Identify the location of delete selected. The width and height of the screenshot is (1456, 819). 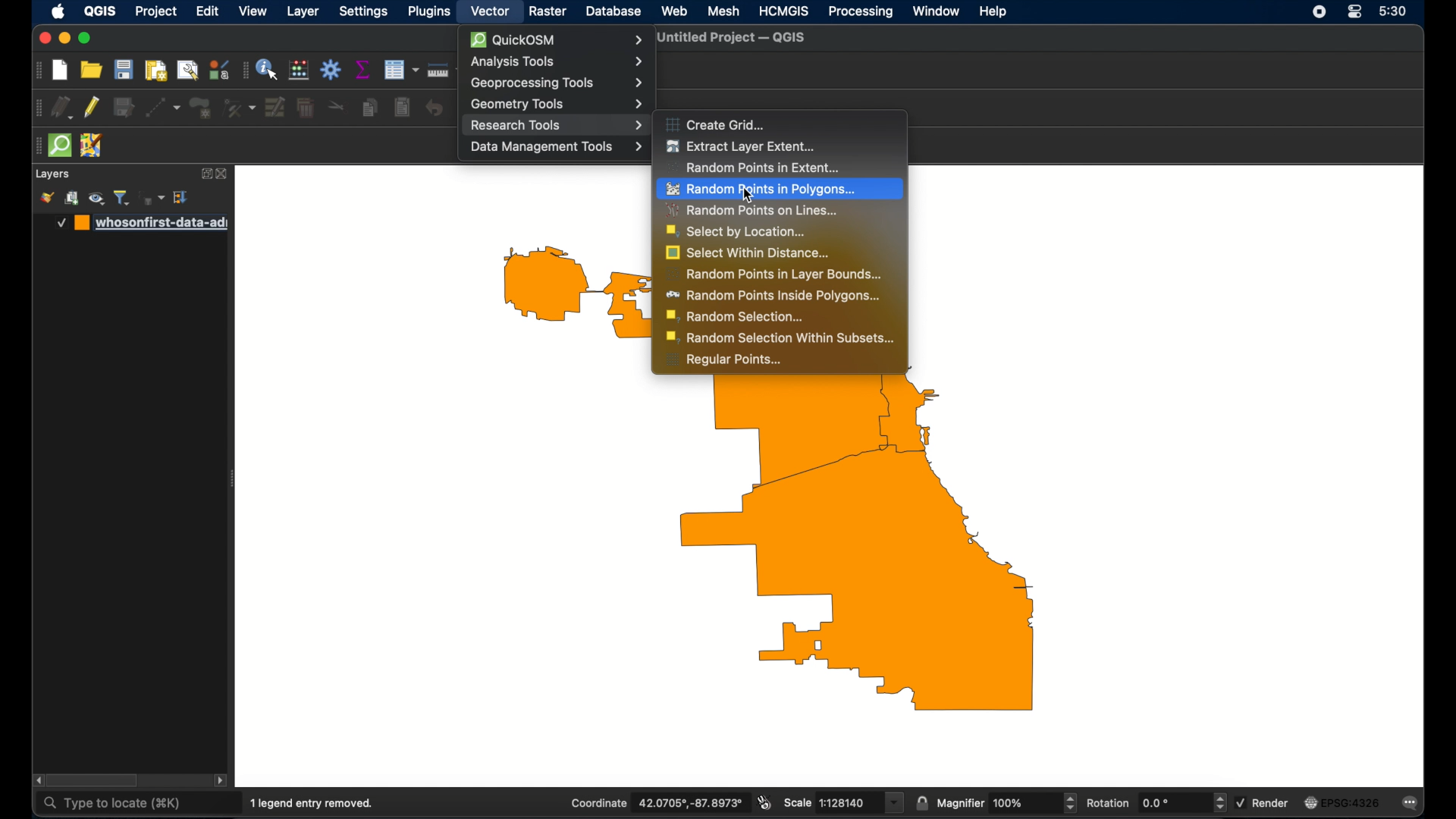
(306, 106).